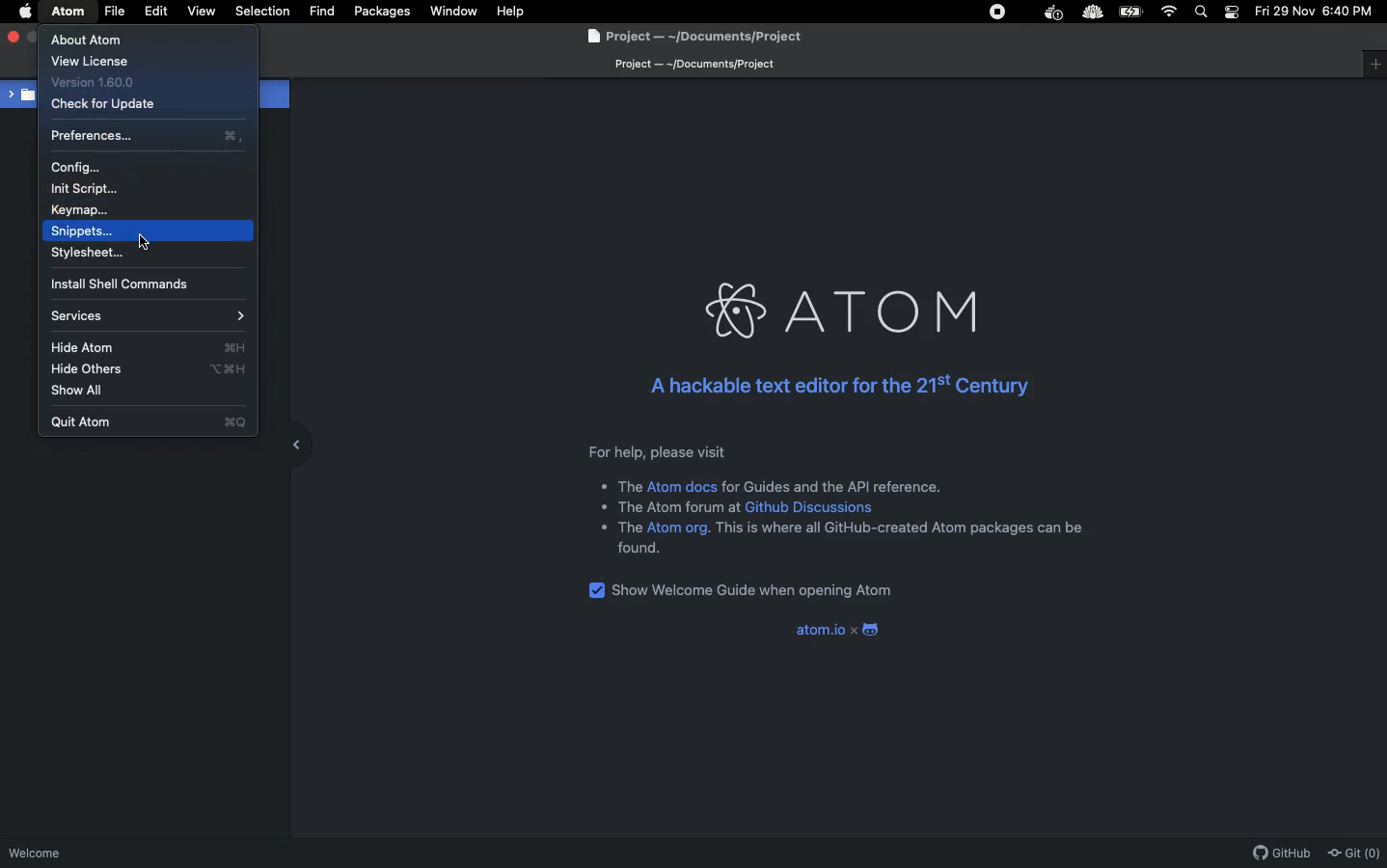 The width and height of the screenshot is (1387, 868). What do you see at coordinates (1232, 12) in the screenshot?
I see `Notification` at bounding box center [1232, 12].